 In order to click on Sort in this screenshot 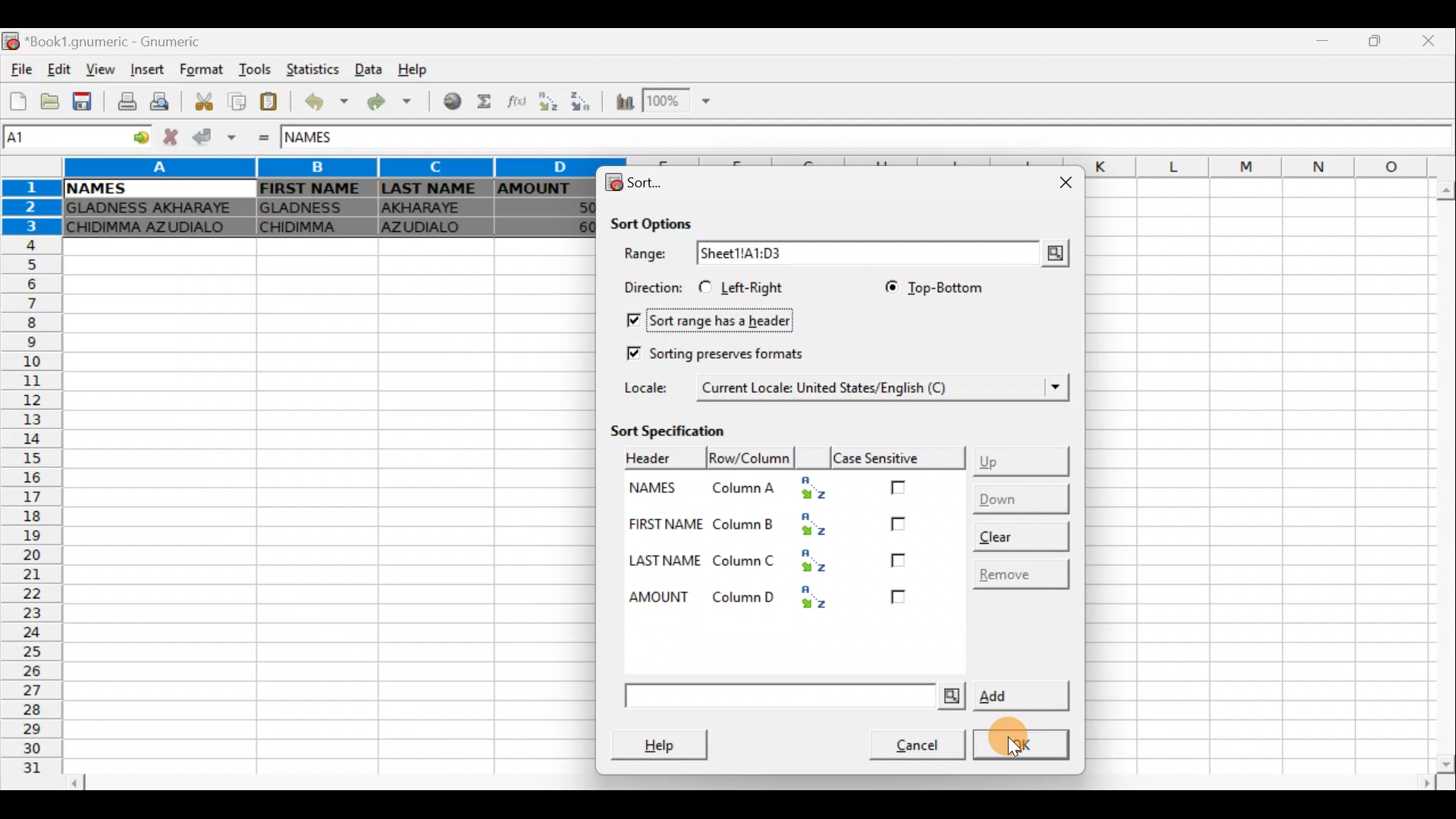, I will do `click(637, 183)`.